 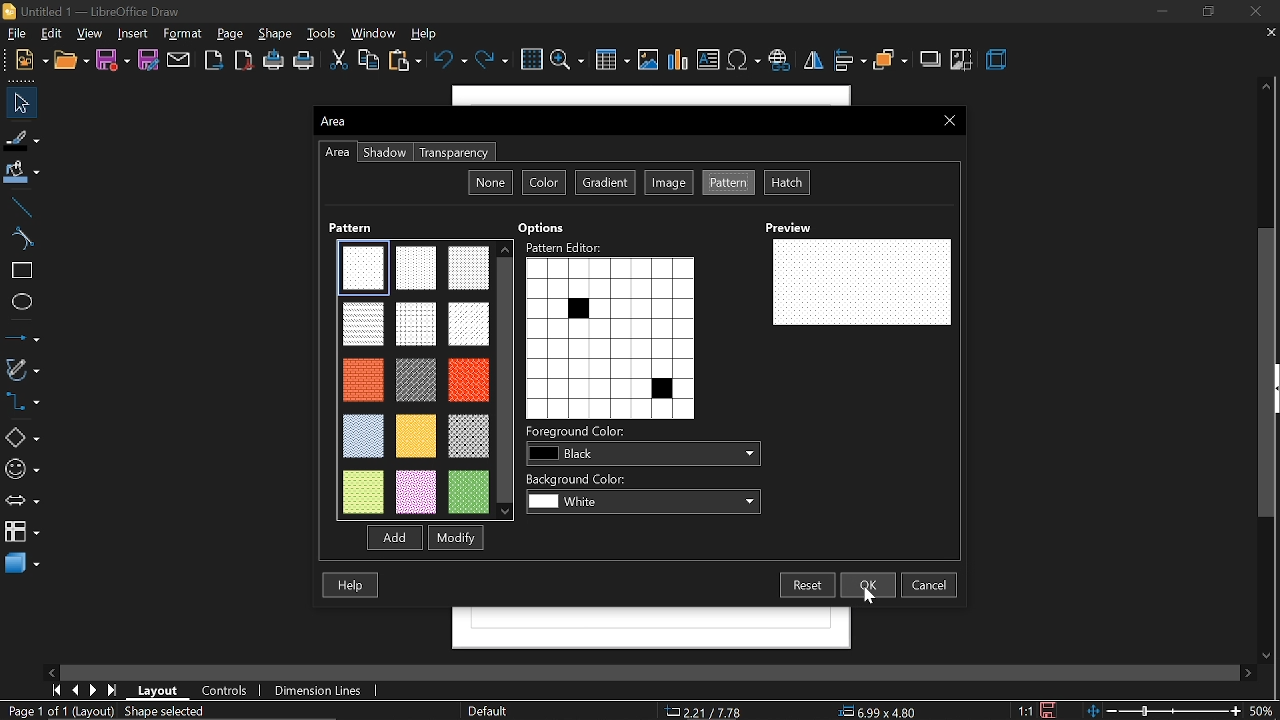 I want to click on insert hyperlink, so click(x=780, y=58).